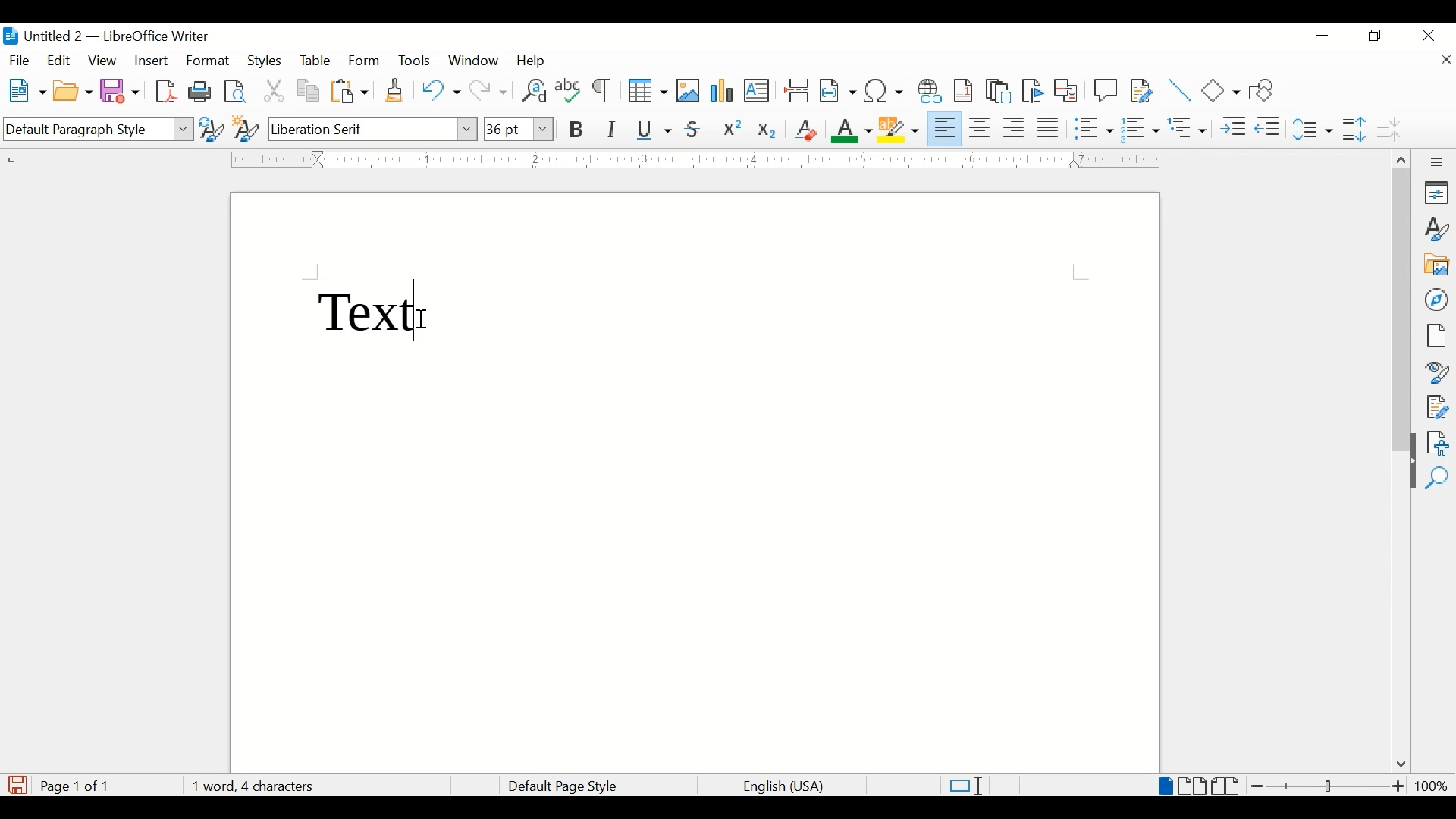 This screenshot has height=819, width=1456. Describe the element at coordinates (1401, 312) in the screenshot. I see `scroll box` at that location.